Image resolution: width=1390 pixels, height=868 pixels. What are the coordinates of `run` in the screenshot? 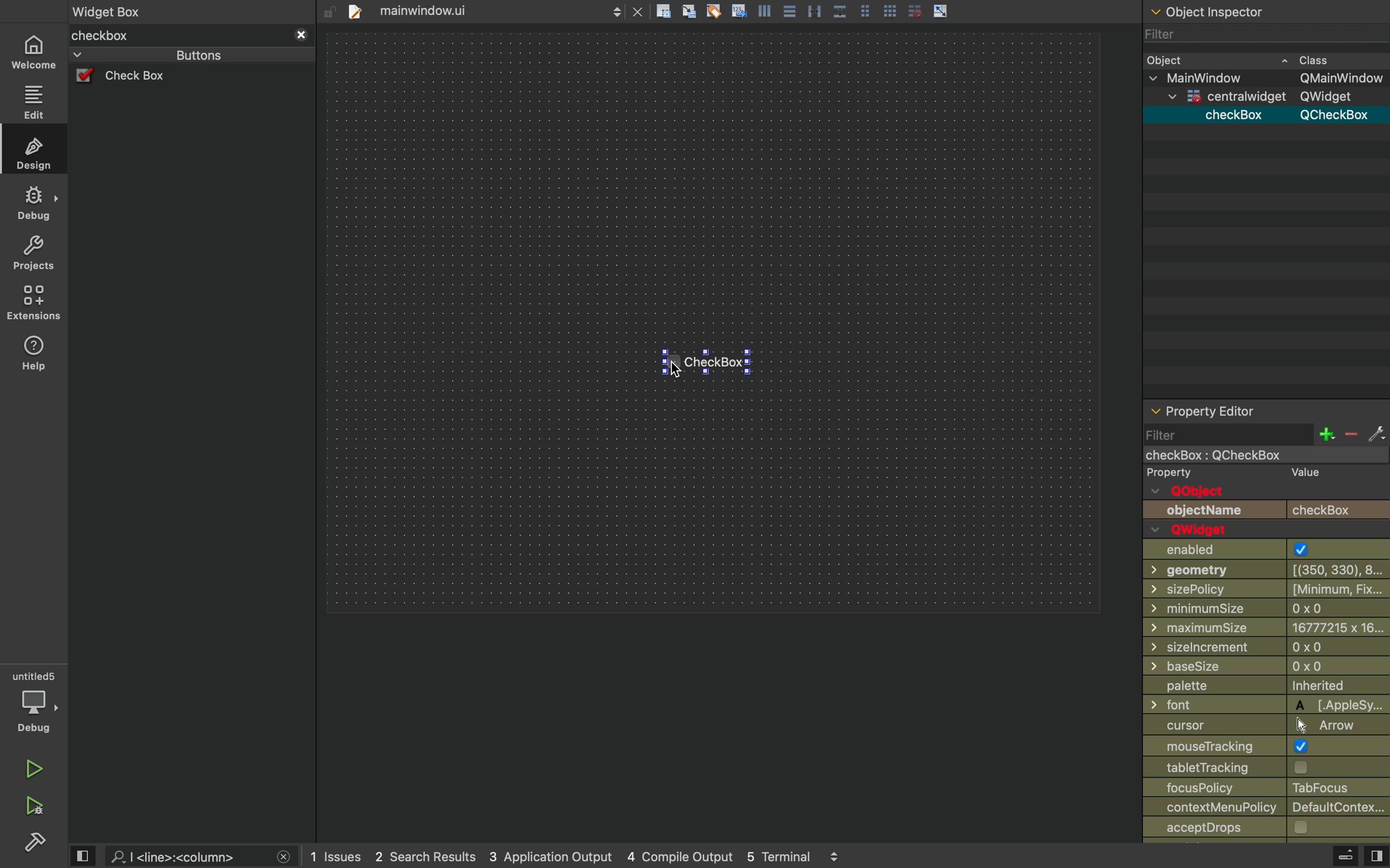 It's located at (29, 769).